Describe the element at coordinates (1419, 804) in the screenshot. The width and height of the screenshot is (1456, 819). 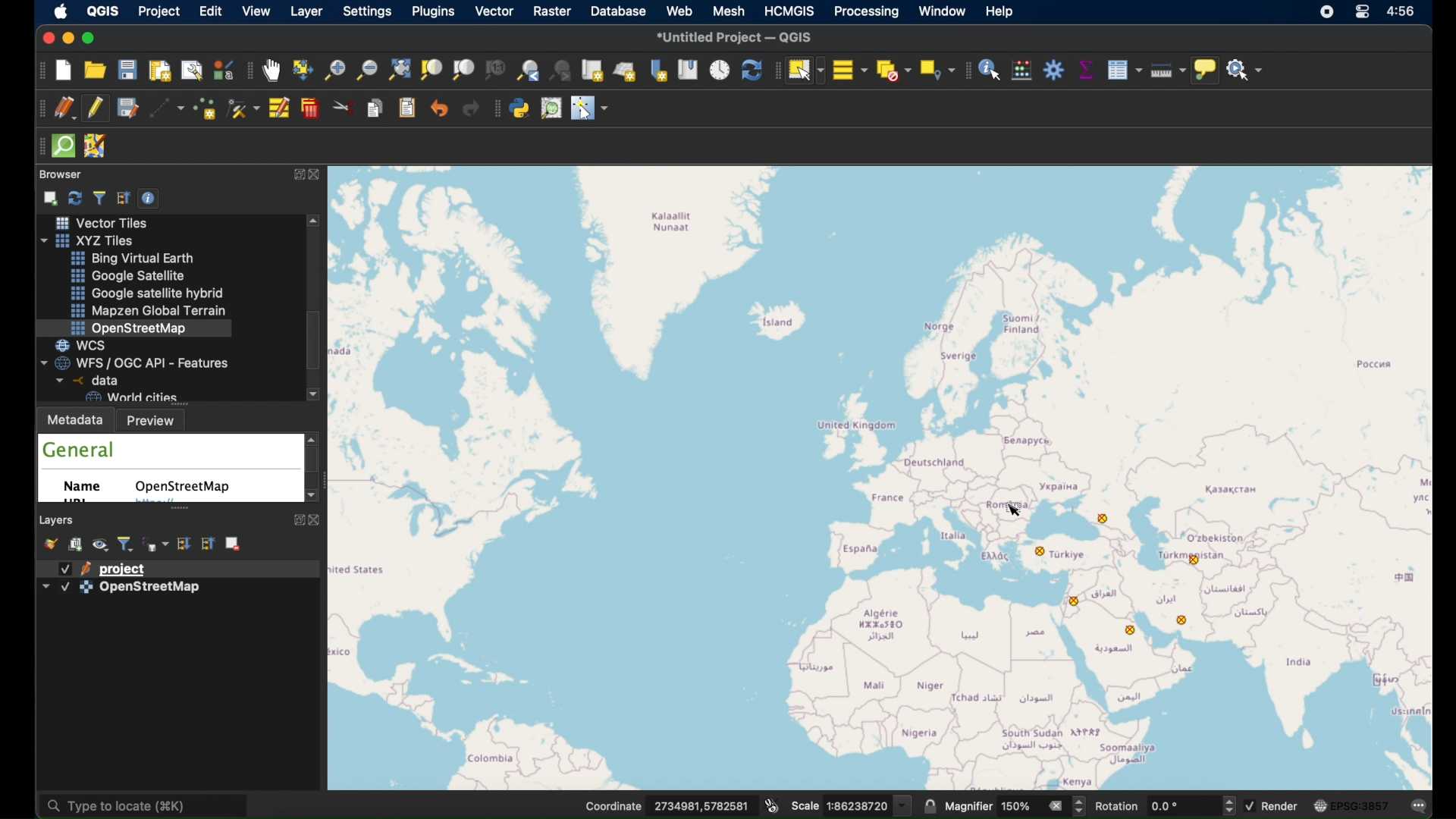
I see `messages` at that location.